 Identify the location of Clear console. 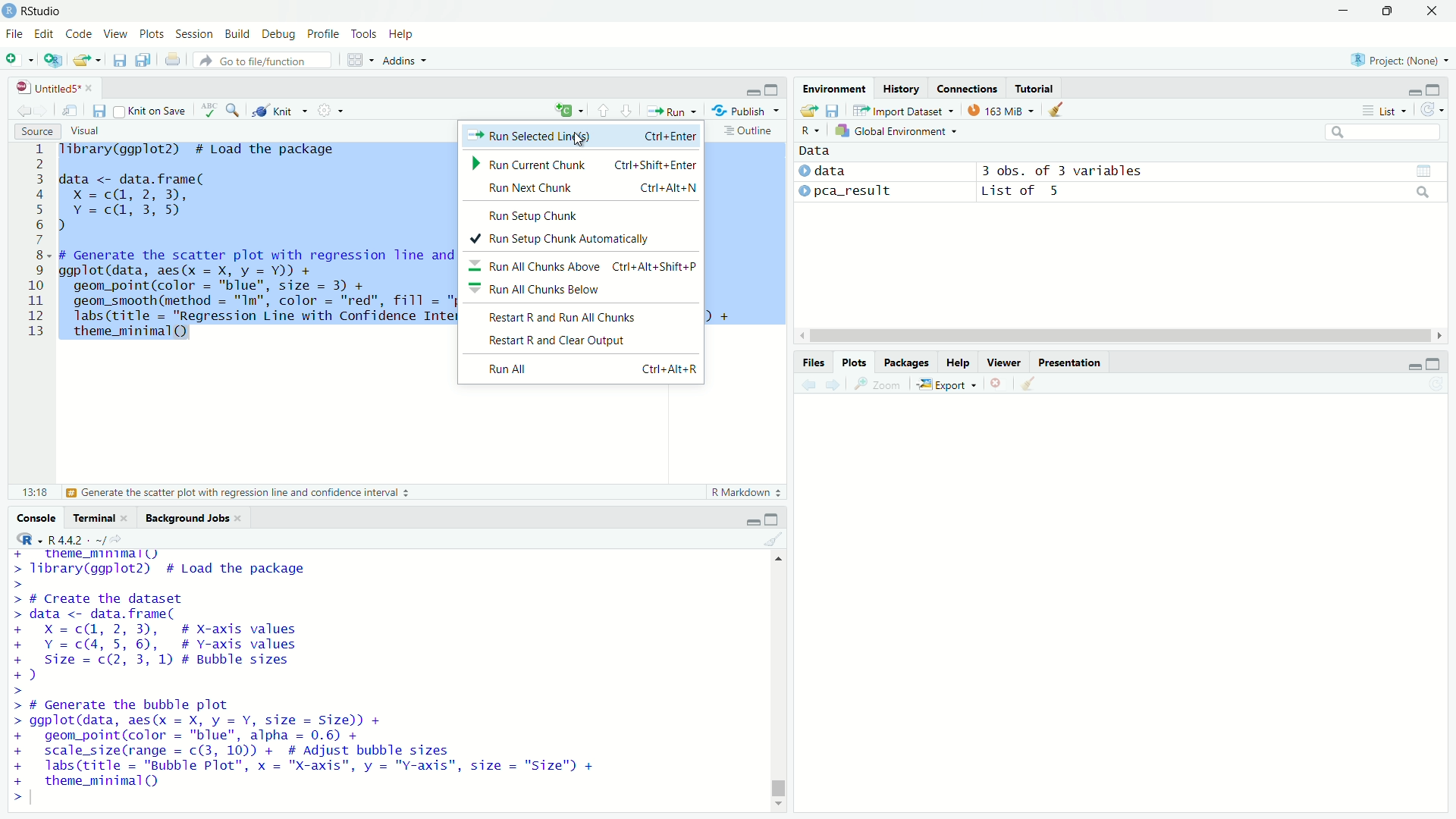
(772, 539).